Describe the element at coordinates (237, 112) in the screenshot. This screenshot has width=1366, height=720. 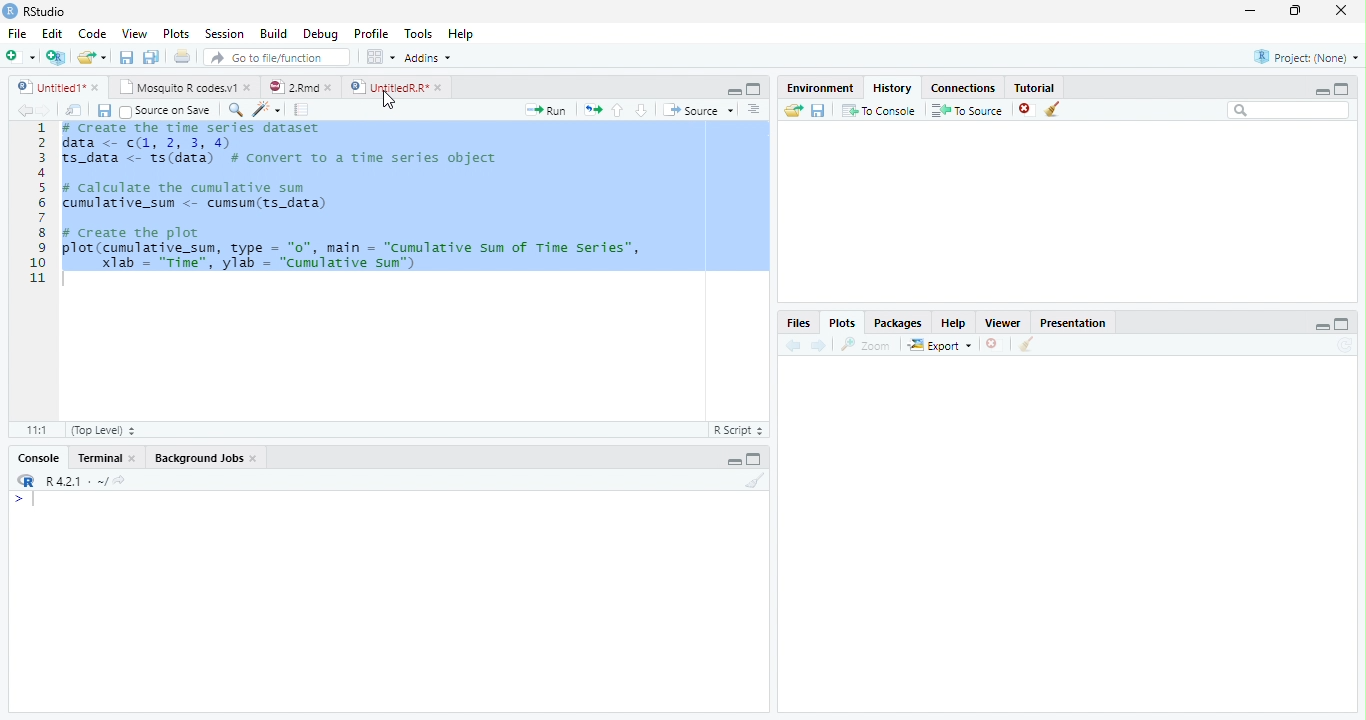
I see `Zoom` at that location.